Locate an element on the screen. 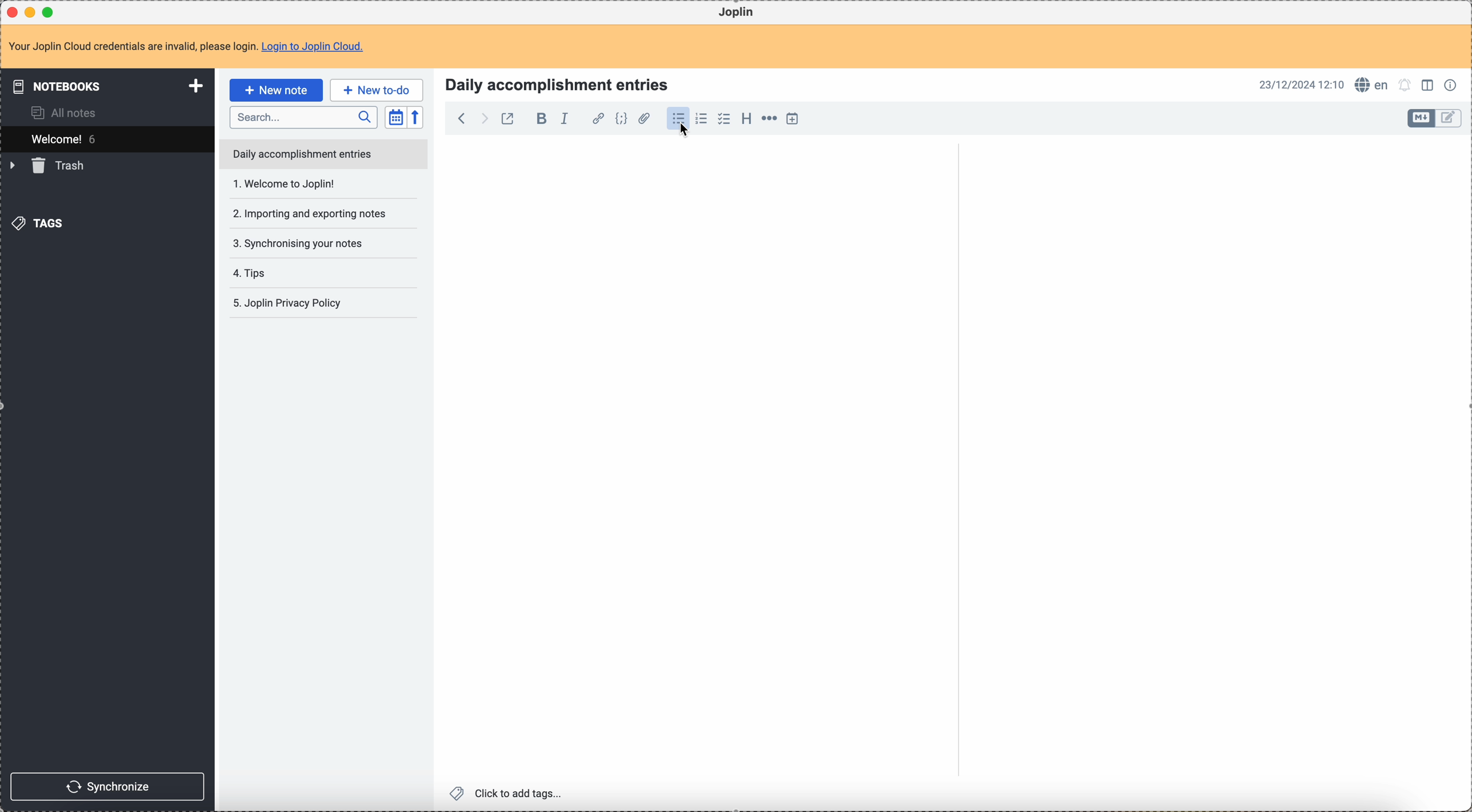 This screenshot has width=1472, height=812. toggle edit layout is located at coordinates (1449, 118).